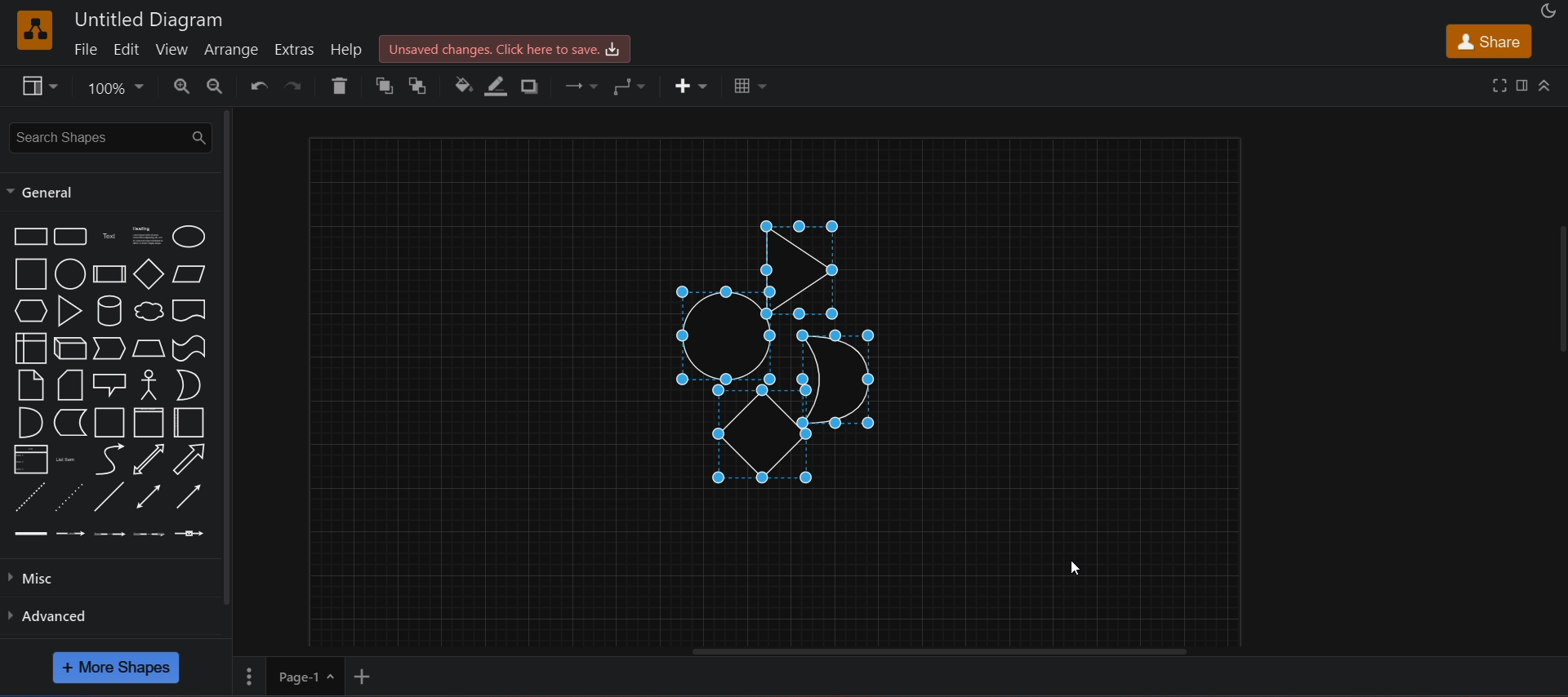 This screenshot has width=1568, height=697. Describe the element at coordinates (29, 458) in the screenshot. I see `list` at that location.